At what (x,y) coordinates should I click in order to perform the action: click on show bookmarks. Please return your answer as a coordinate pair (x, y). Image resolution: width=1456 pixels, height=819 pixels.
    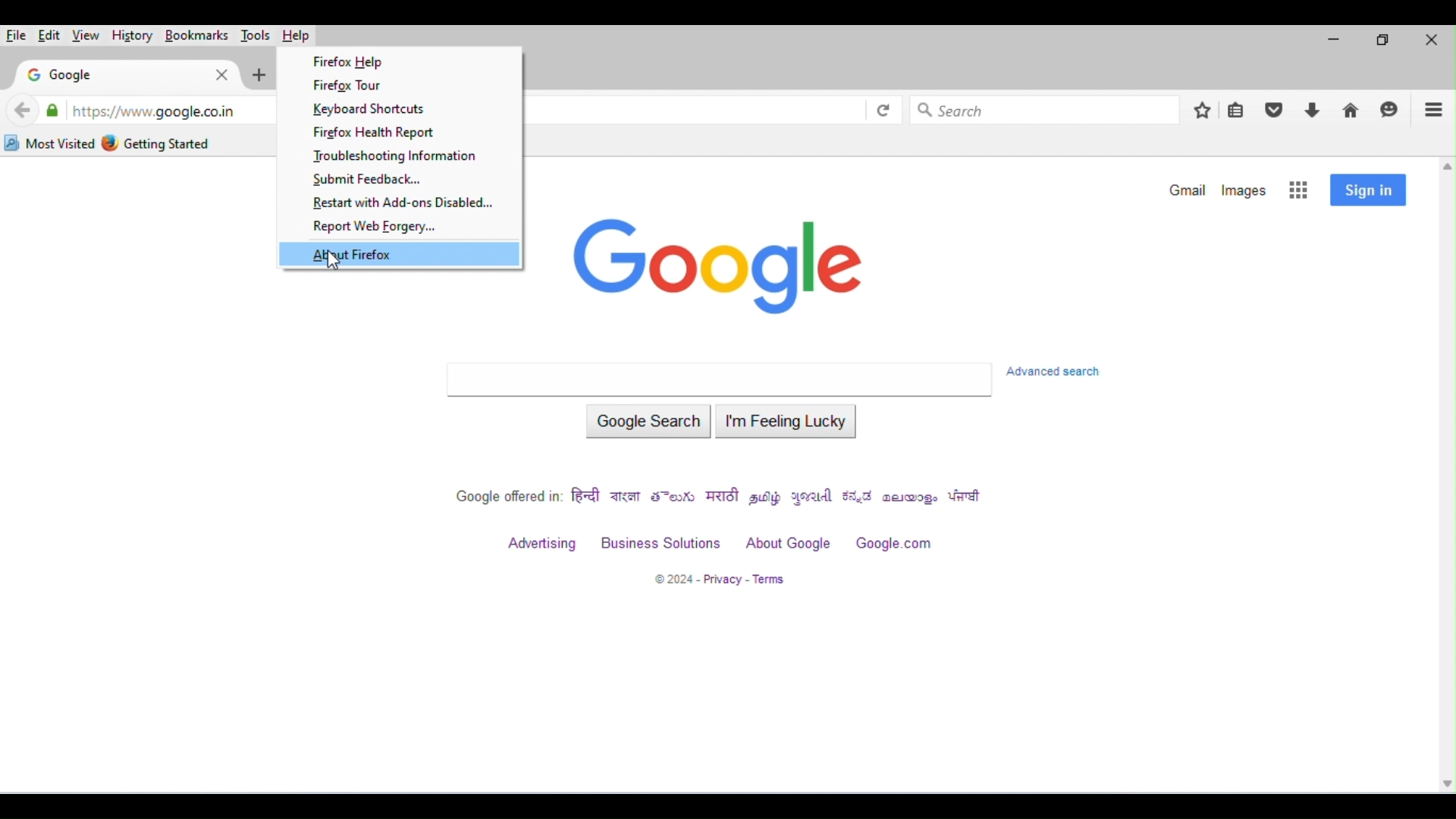
    Looking at the image, I should click on (1238, 111).